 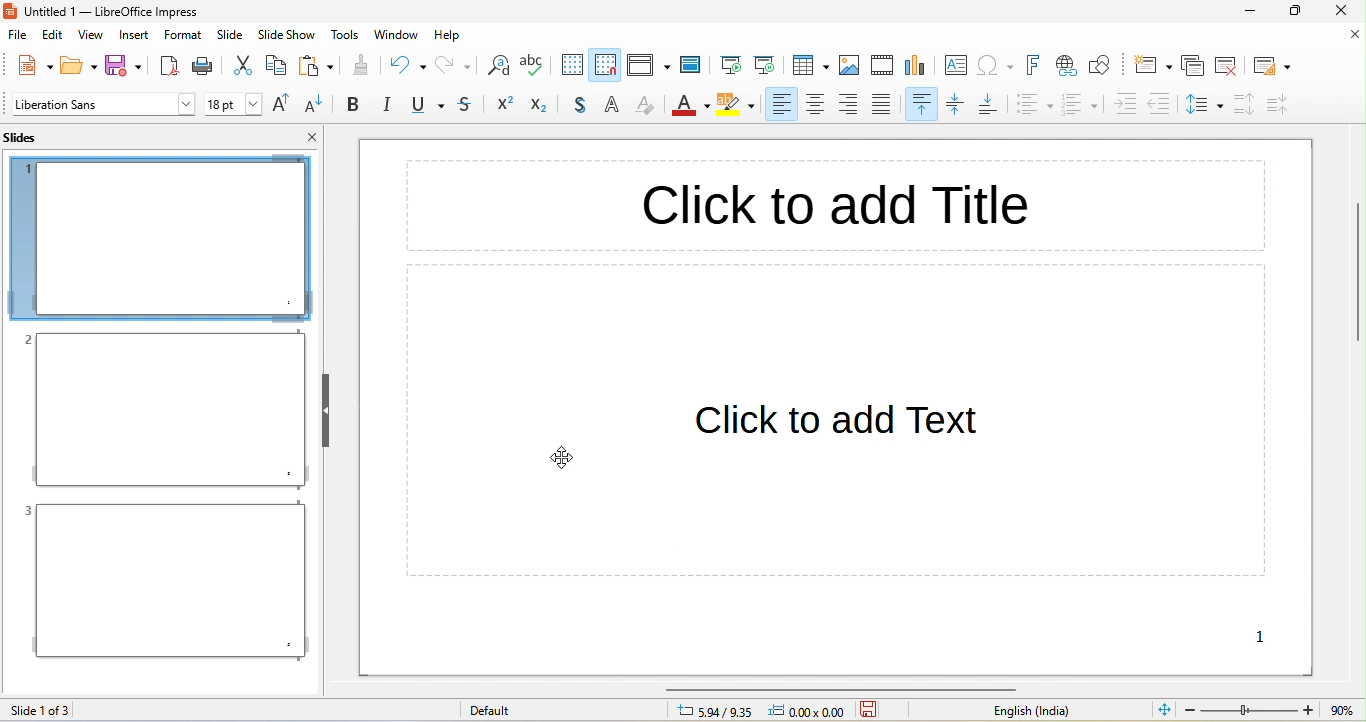 I want to click on title, so click(x=128, y=12).